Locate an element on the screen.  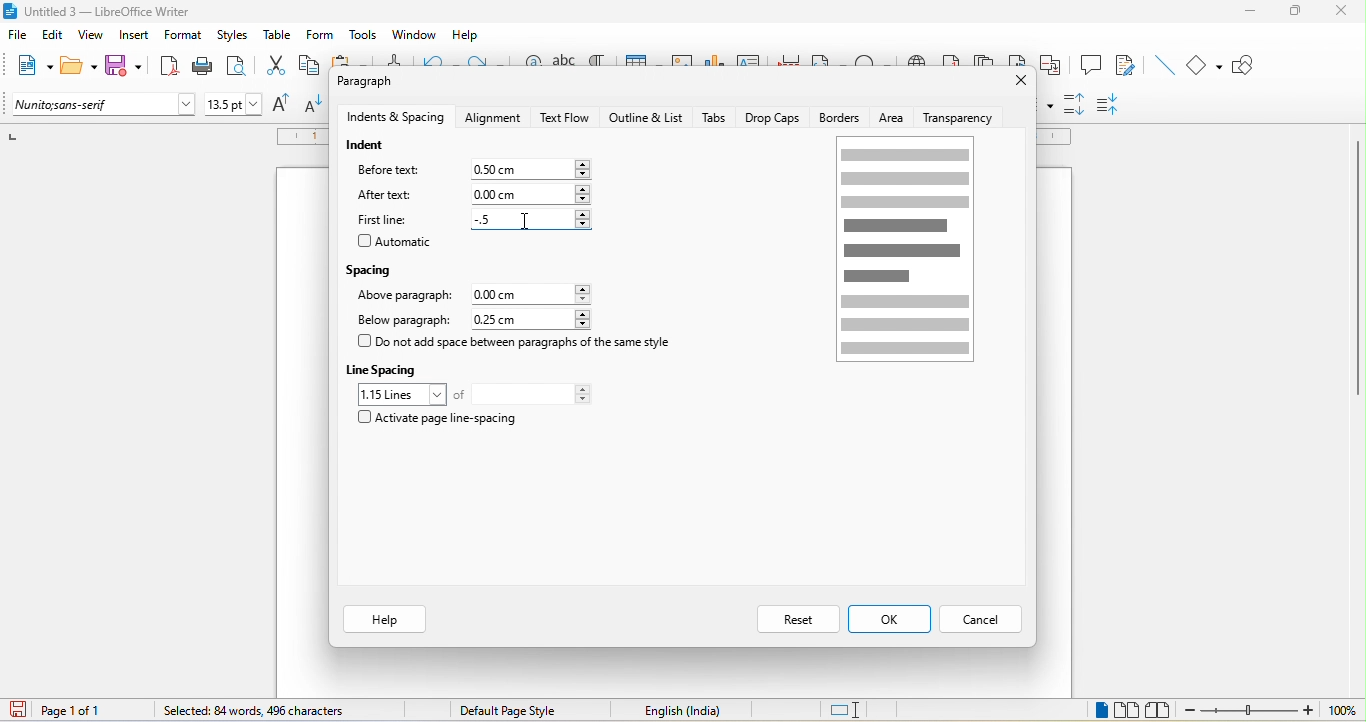
insert is located at coordinates (134, 37).